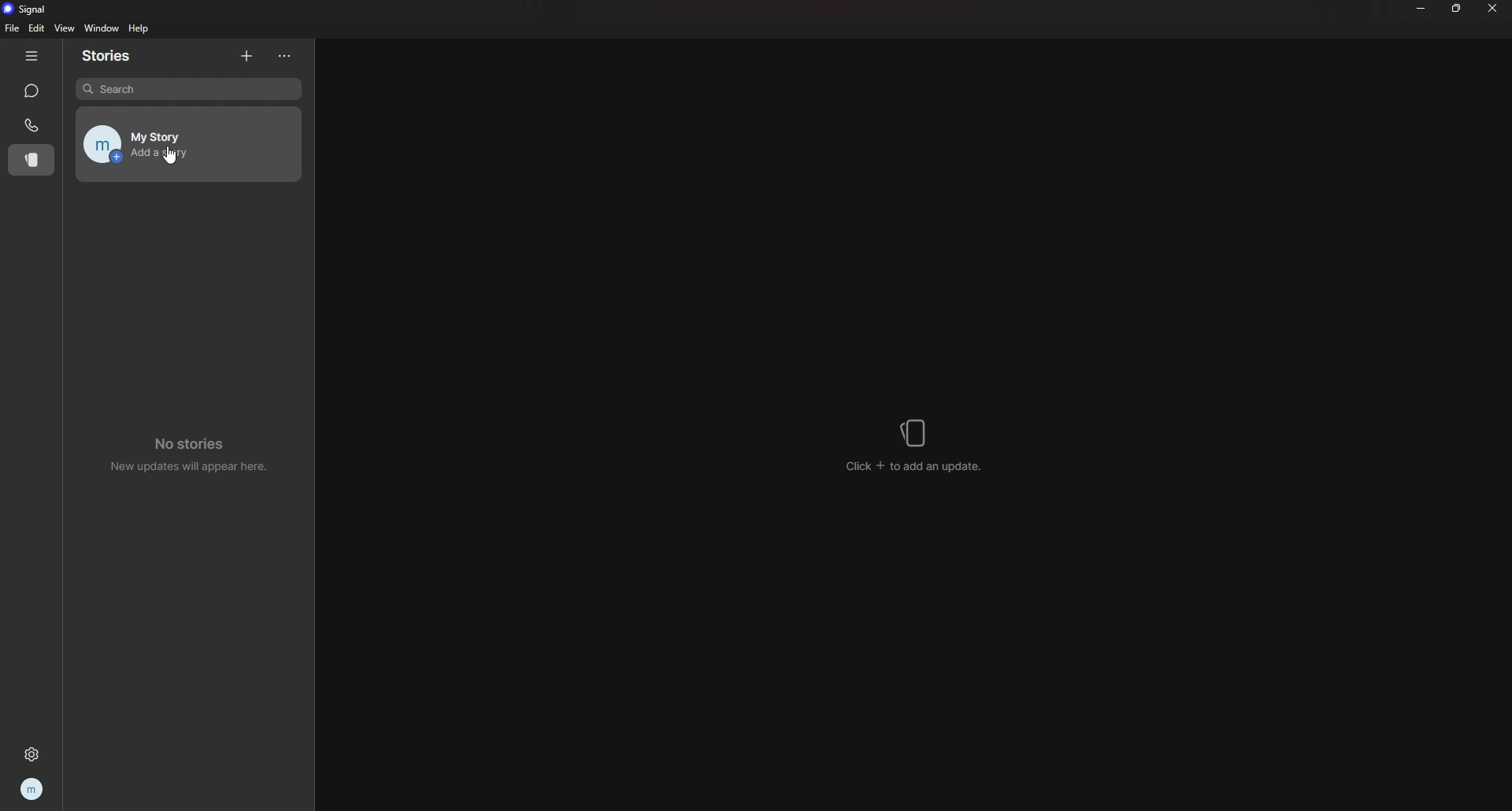  Describe the element at coordinates (33, 91) in the screenshot. I see `chats` at that location.